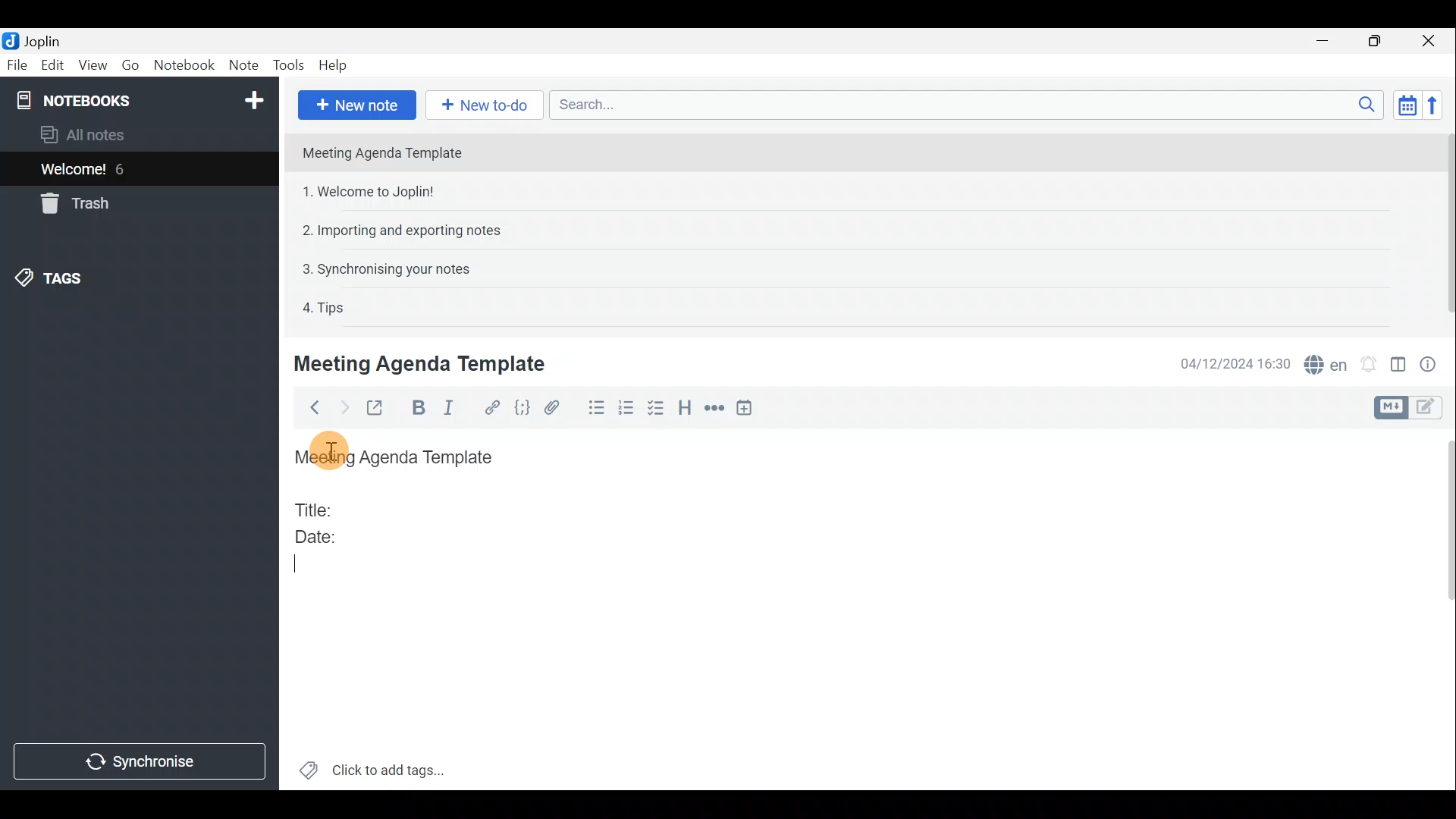 This screenshot has width=1456, height=819. What do you see at coordinates (133, 64) in the screenshot?
I see `Go` at bounding box center [133, 64].